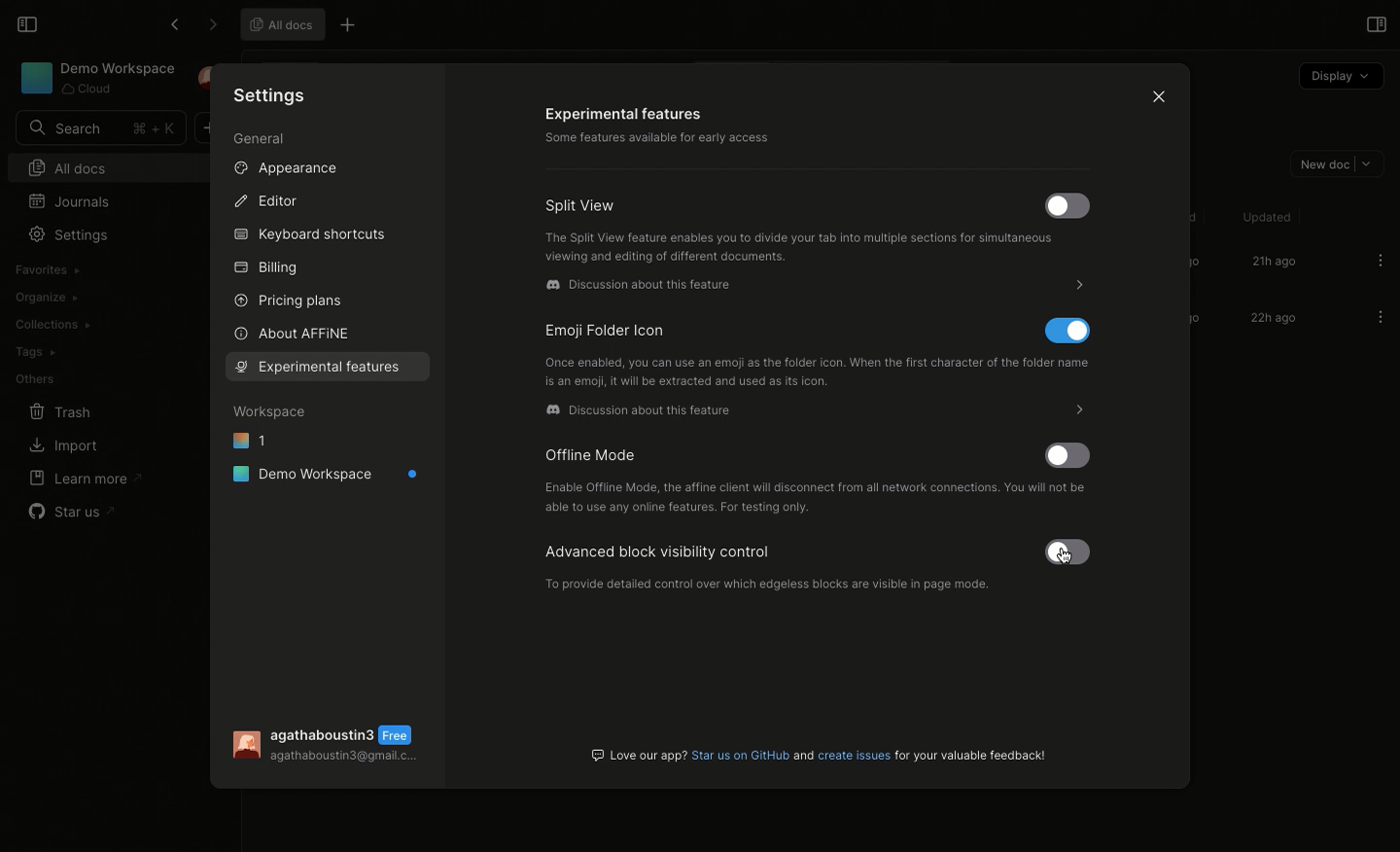 This screenshot has width=1400, height=852. Describe the element at coordinates (311, 236) in the screenshot. I see `Keyboard shortcuts` at that location.